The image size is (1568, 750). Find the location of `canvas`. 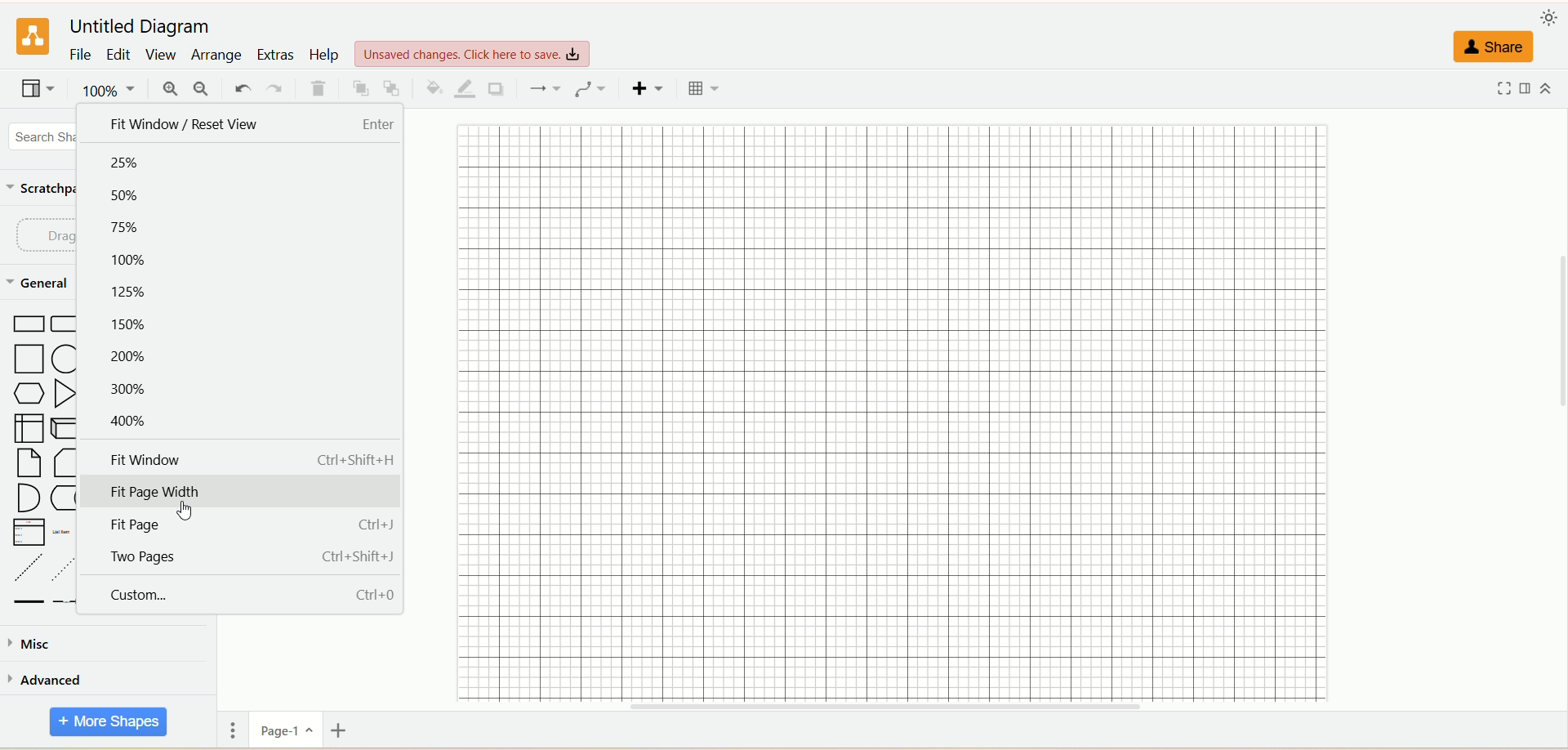

canvas is located at coordinates (899, 414).